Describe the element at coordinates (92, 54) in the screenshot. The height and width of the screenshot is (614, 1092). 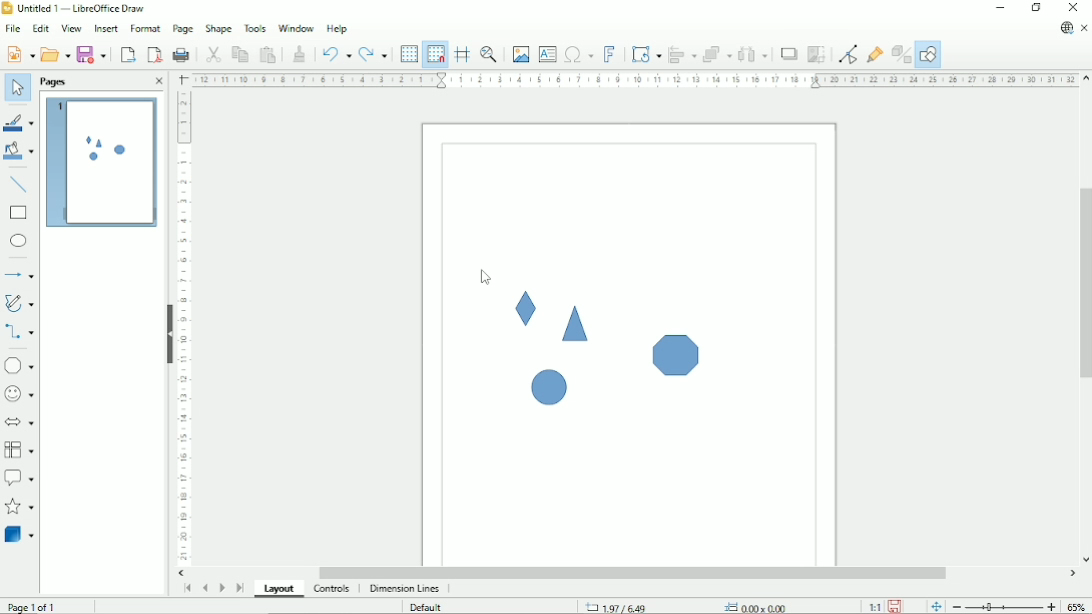
I see `Save` at that location.